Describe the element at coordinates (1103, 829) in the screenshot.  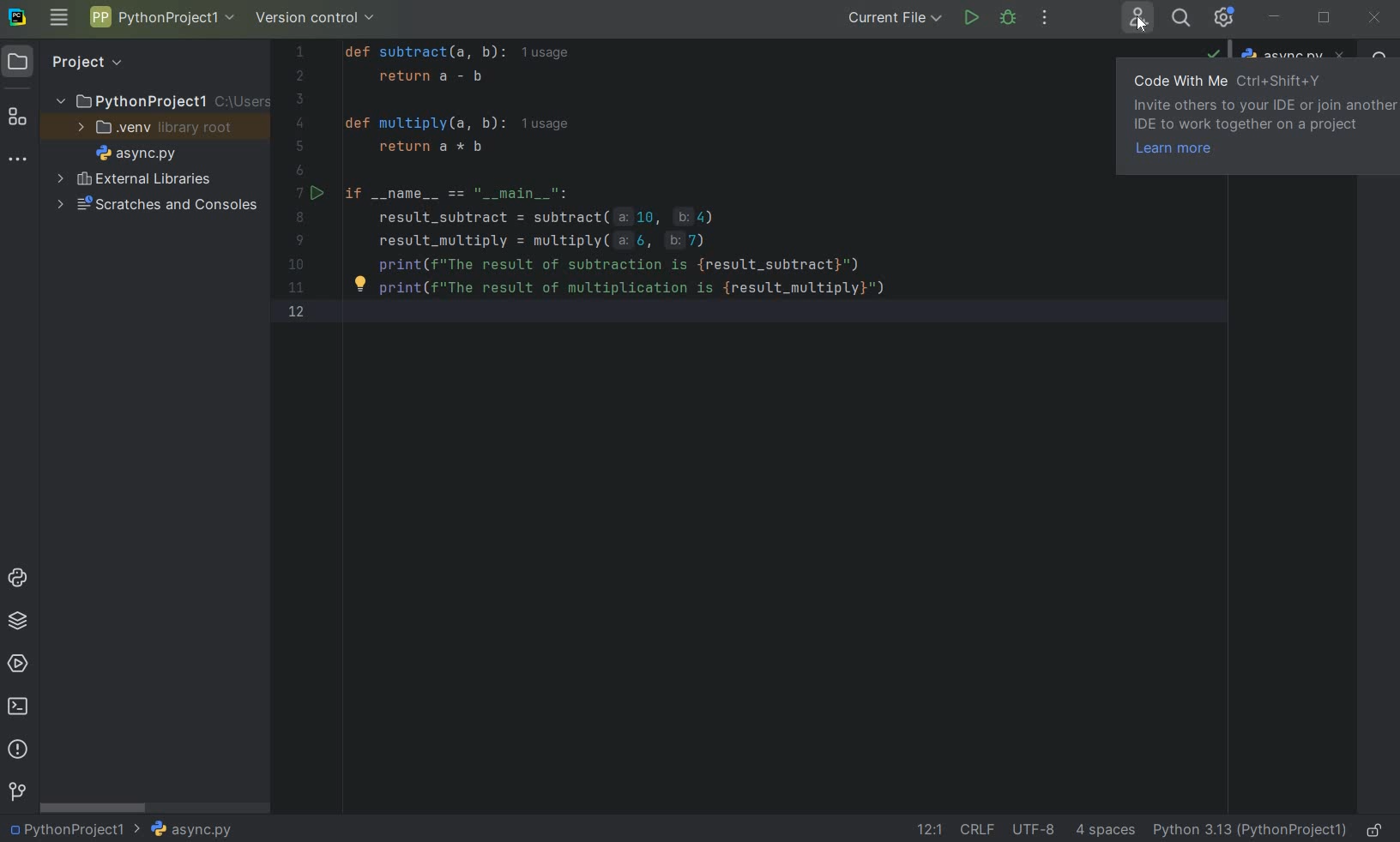
I see `INDENT` at that location.